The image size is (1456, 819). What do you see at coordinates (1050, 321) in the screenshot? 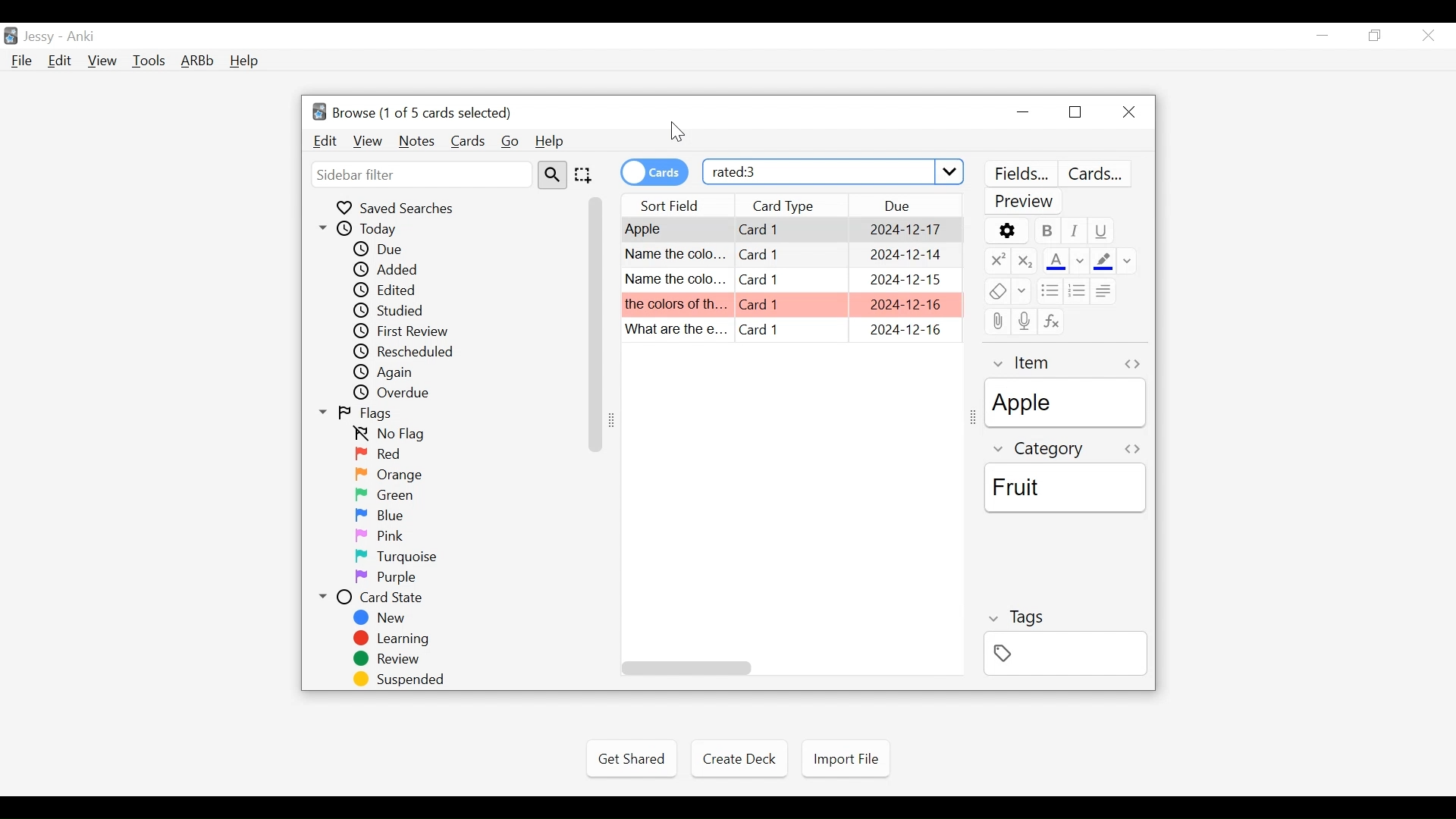
I see `Equations` at bounding box center [1050, 321].